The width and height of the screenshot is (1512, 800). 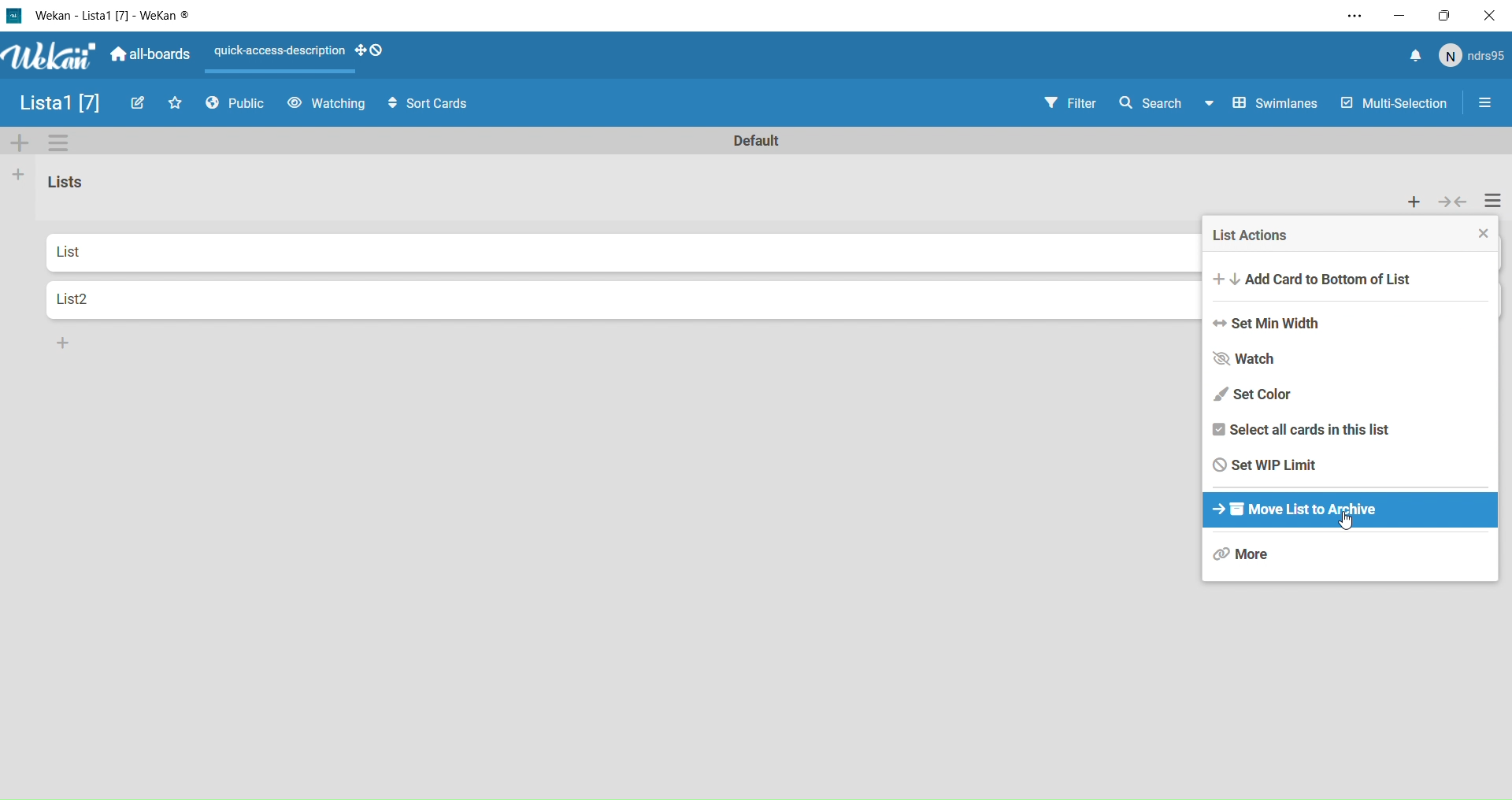 What do you see at coordinates (1307, 516) in the screenshot?
I see `Move list to archive` at bounding box center [1307, 516].